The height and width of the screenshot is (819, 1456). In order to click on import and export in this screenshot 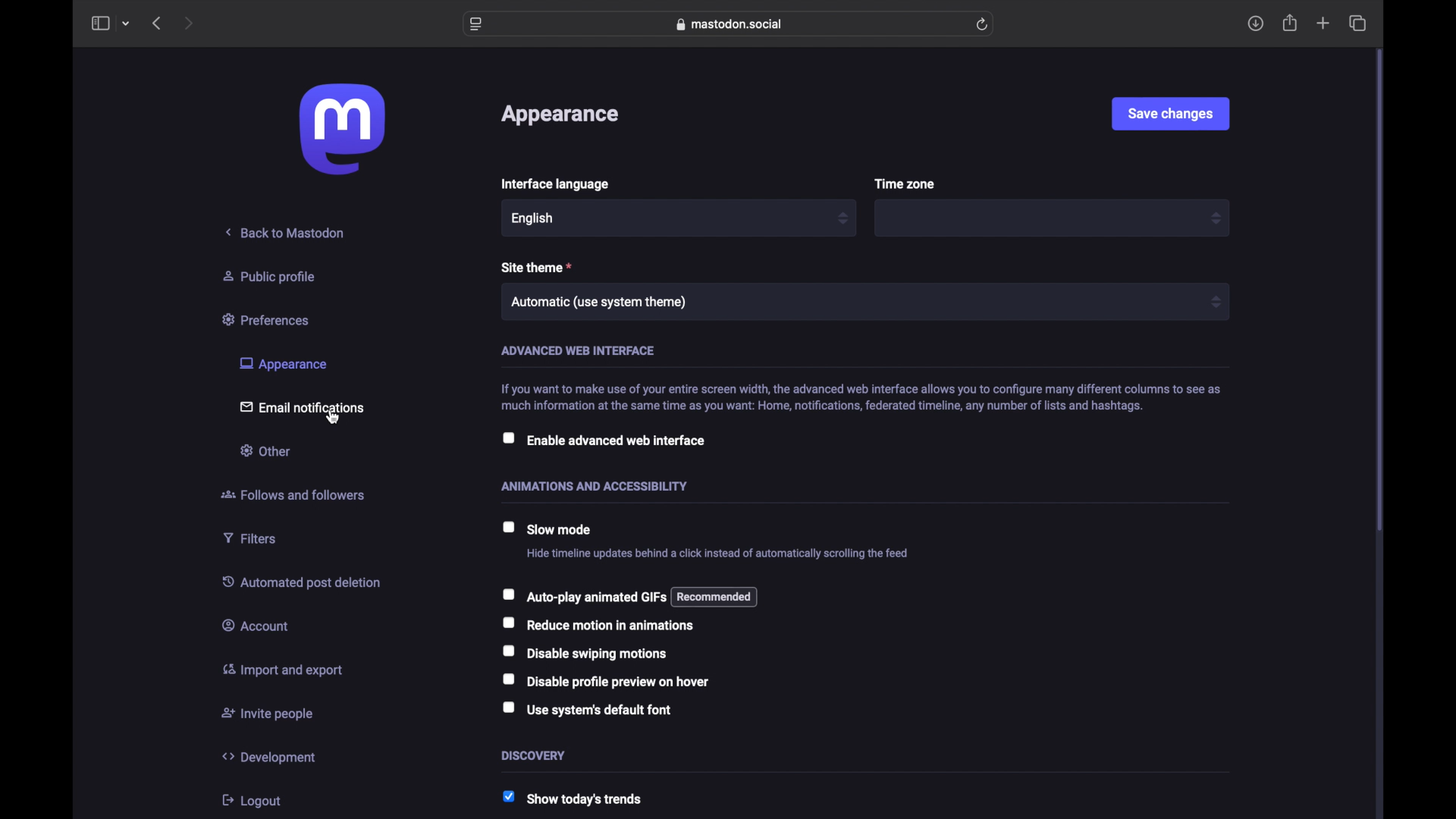, I will do `click(282, 670)`.